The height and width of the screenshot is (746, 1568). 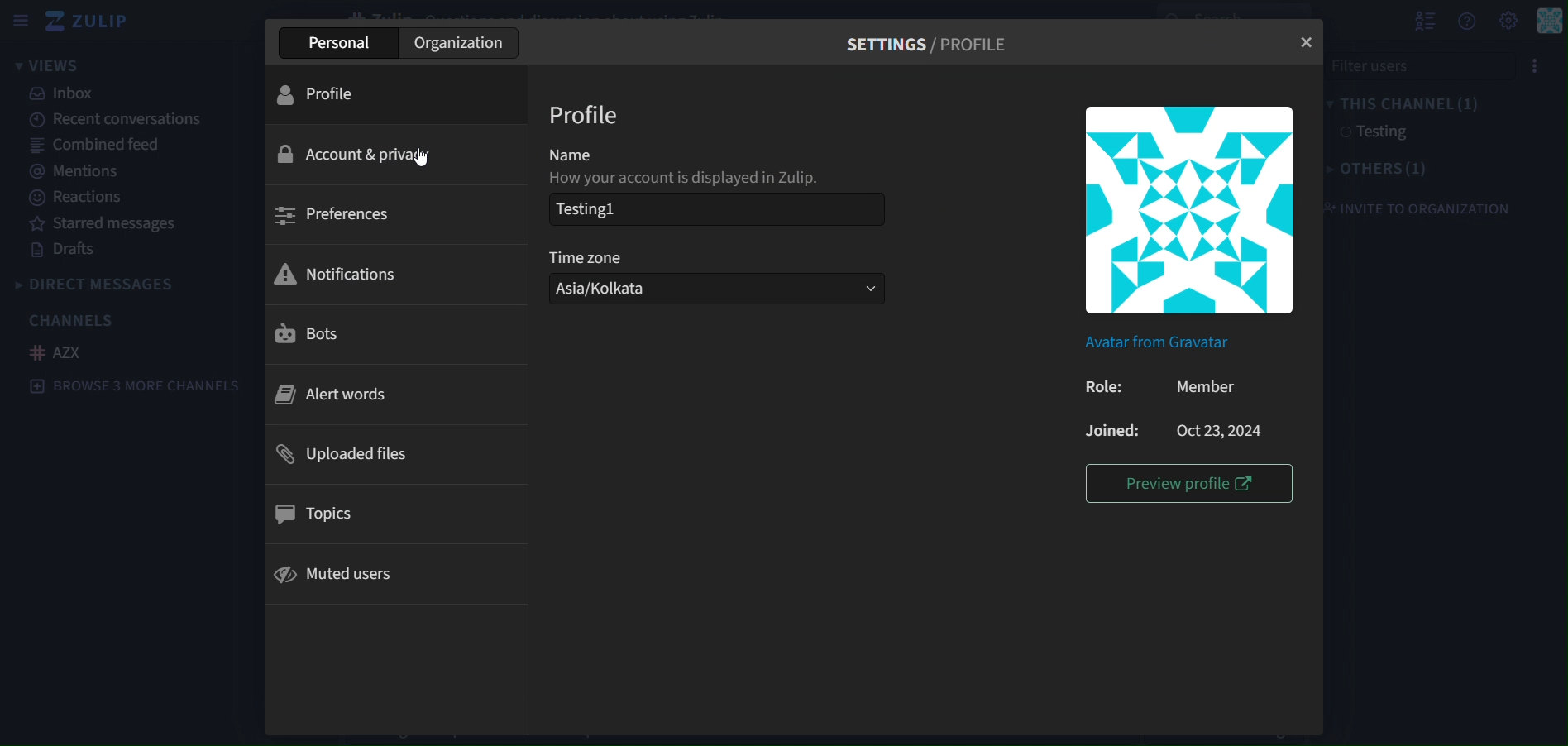 What do you see at coordinates (1422, 22) in the screenshot?
I see `show user list` at bounding box center [1422, 22].